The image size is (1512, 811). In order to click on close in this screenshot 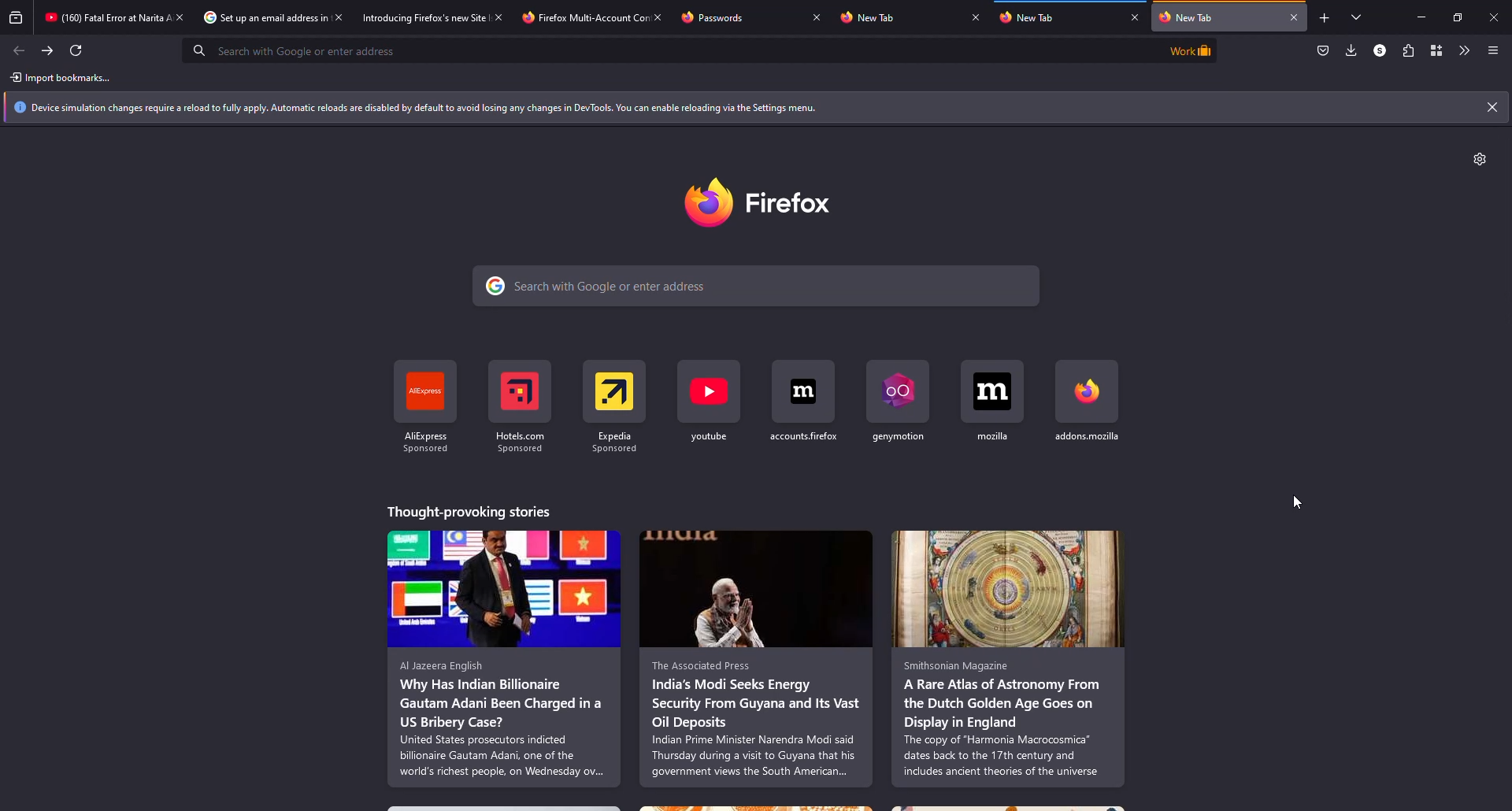, I will do `click(661, 16)`.